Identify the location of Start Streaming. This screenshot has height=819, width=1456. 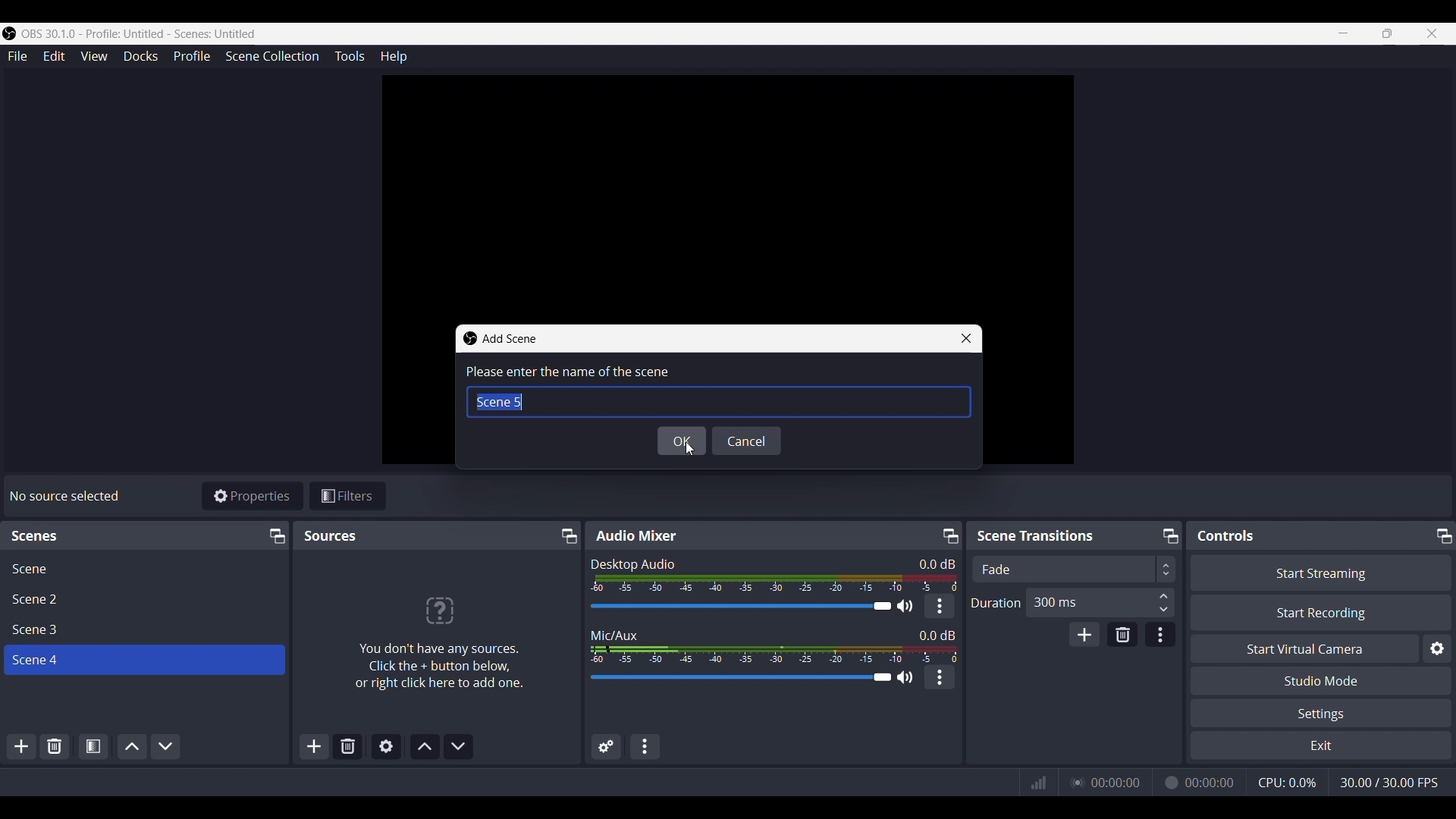
(1319, 572).